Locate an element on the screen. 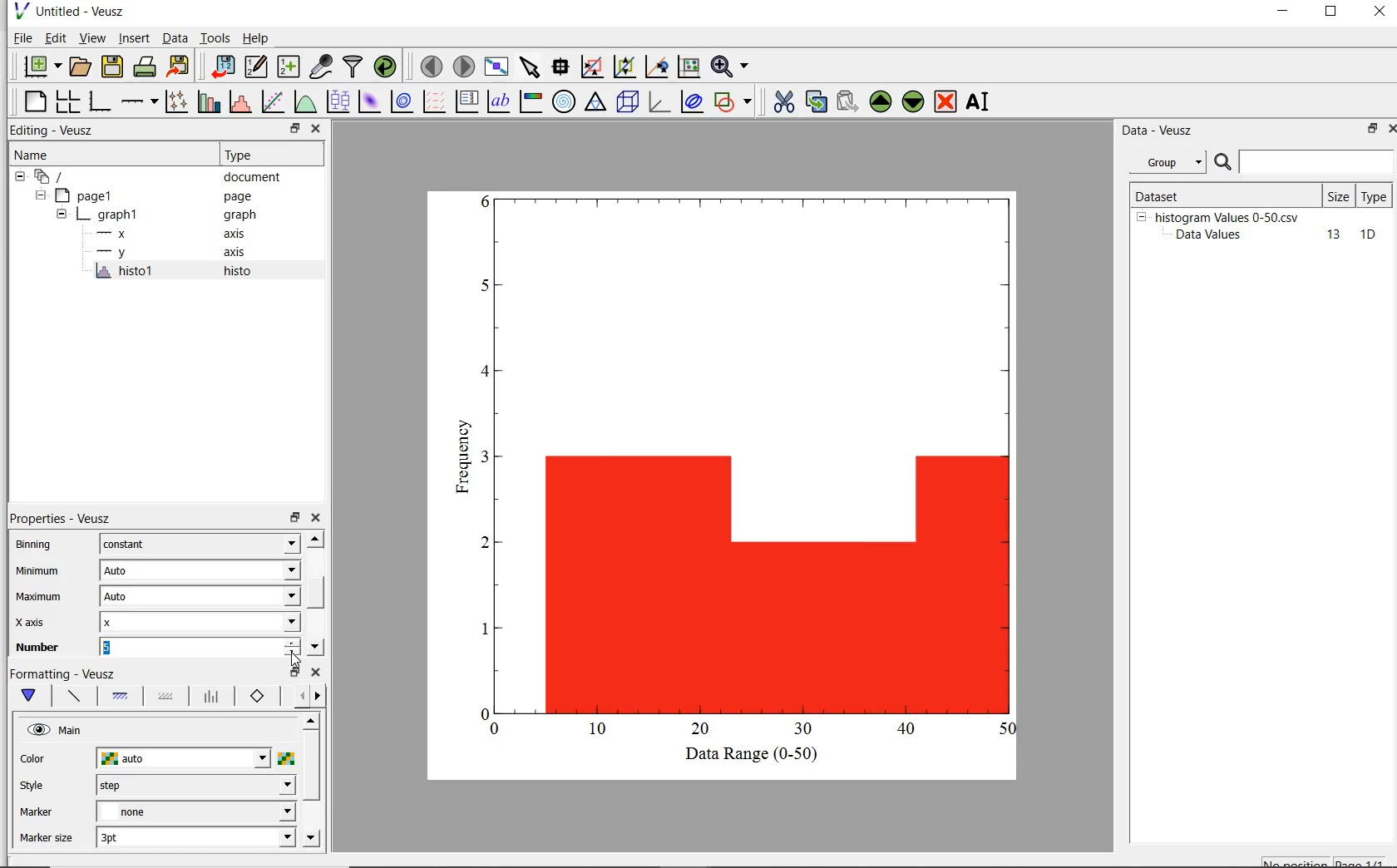 The height and width of the screenshot is (868, 1397). increase number is located at coordinates (293, 641).